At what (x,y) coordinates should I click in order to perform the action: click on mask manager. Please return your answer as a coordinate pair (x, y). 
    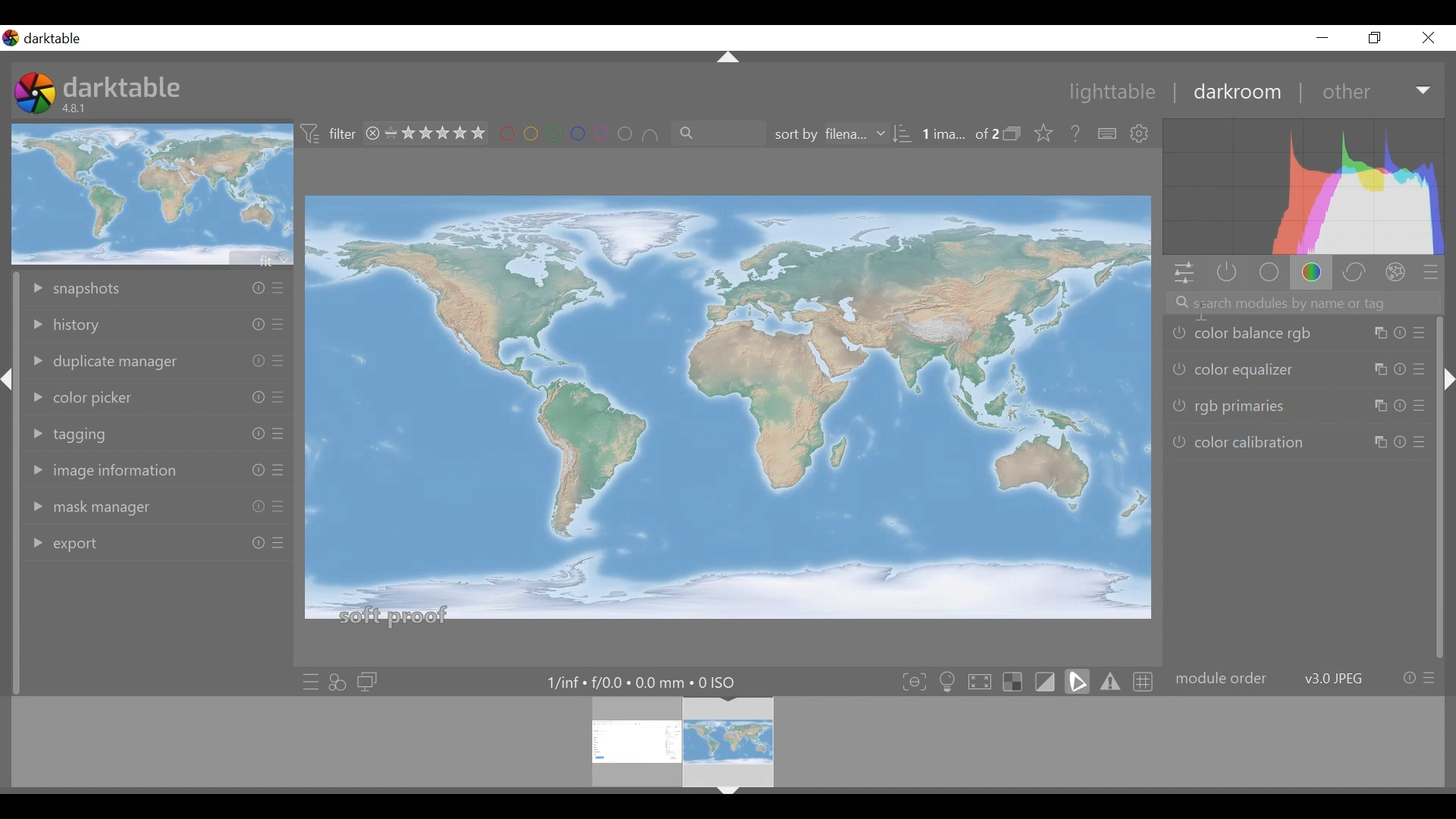
    Looking at the image, I should click on (108, 507).